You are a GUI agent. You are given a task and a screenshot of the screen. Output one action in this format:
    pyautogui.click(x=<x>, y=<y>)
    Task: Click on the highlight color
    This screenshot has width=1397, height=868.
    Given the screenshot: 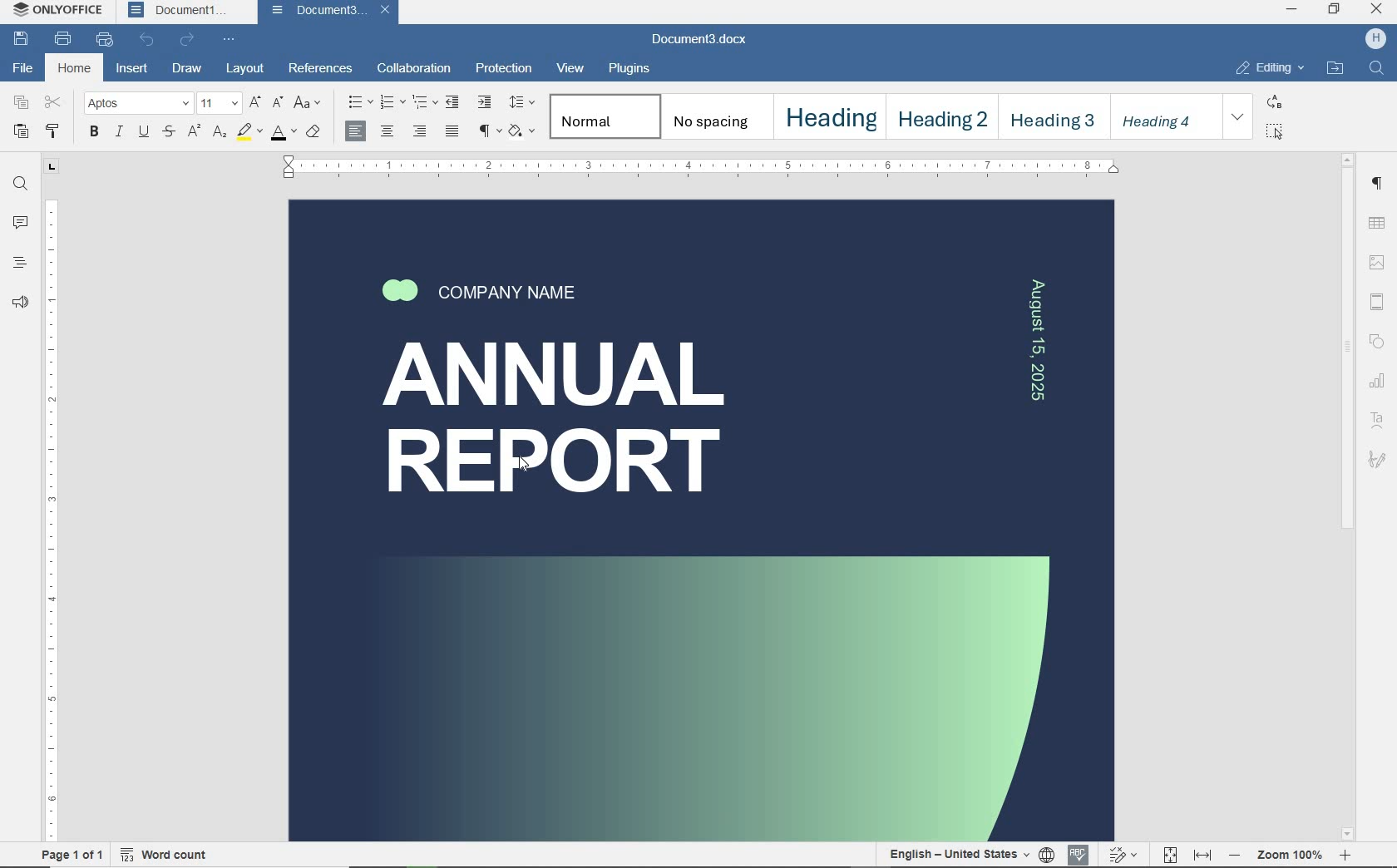 What is the action you would take?
    pyautogui.click(x=253, y=133)
    